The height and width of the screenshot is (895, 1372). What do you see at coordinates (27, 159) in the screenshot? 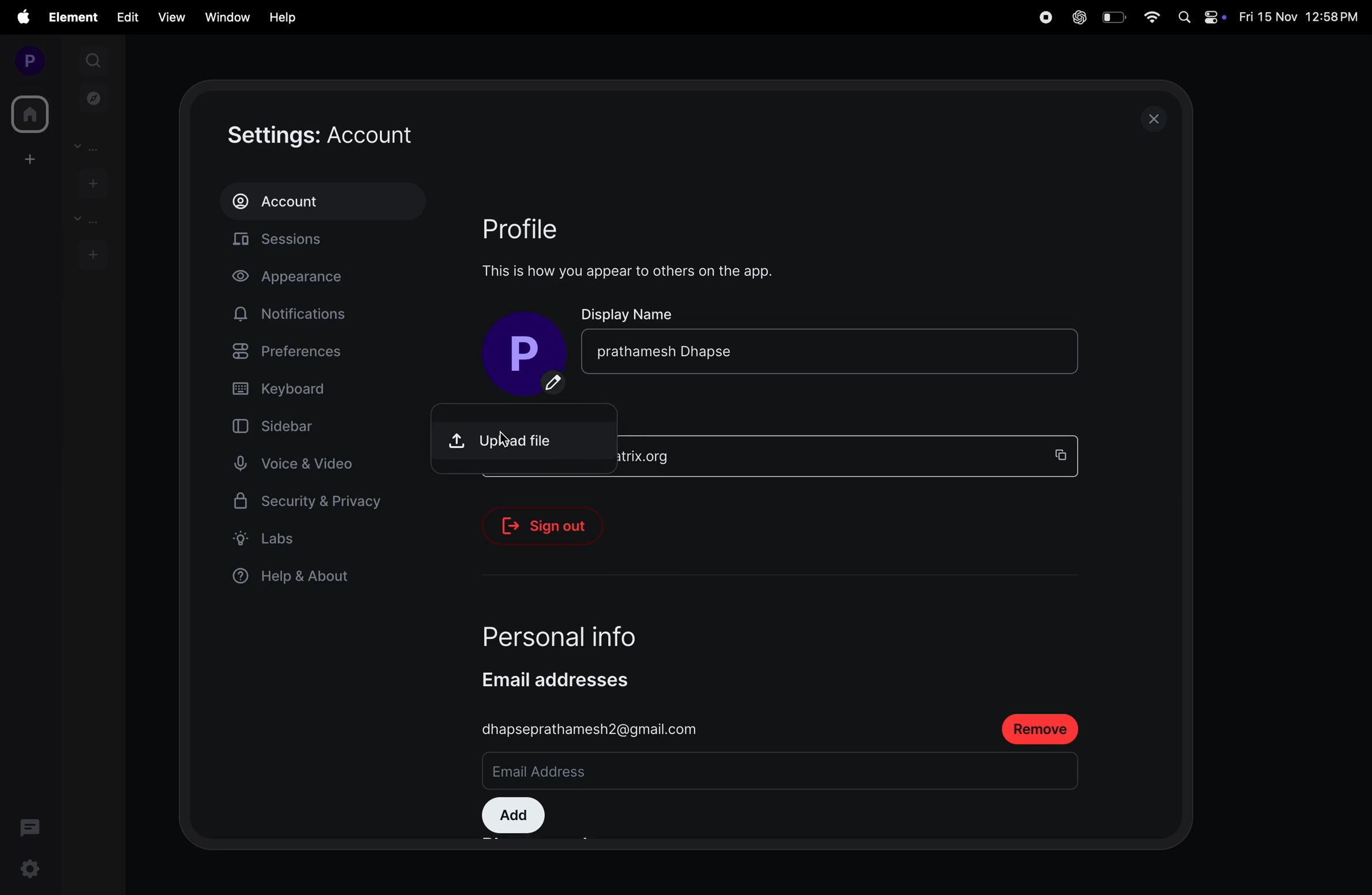
I see `add` at bounding box center [27, 159].